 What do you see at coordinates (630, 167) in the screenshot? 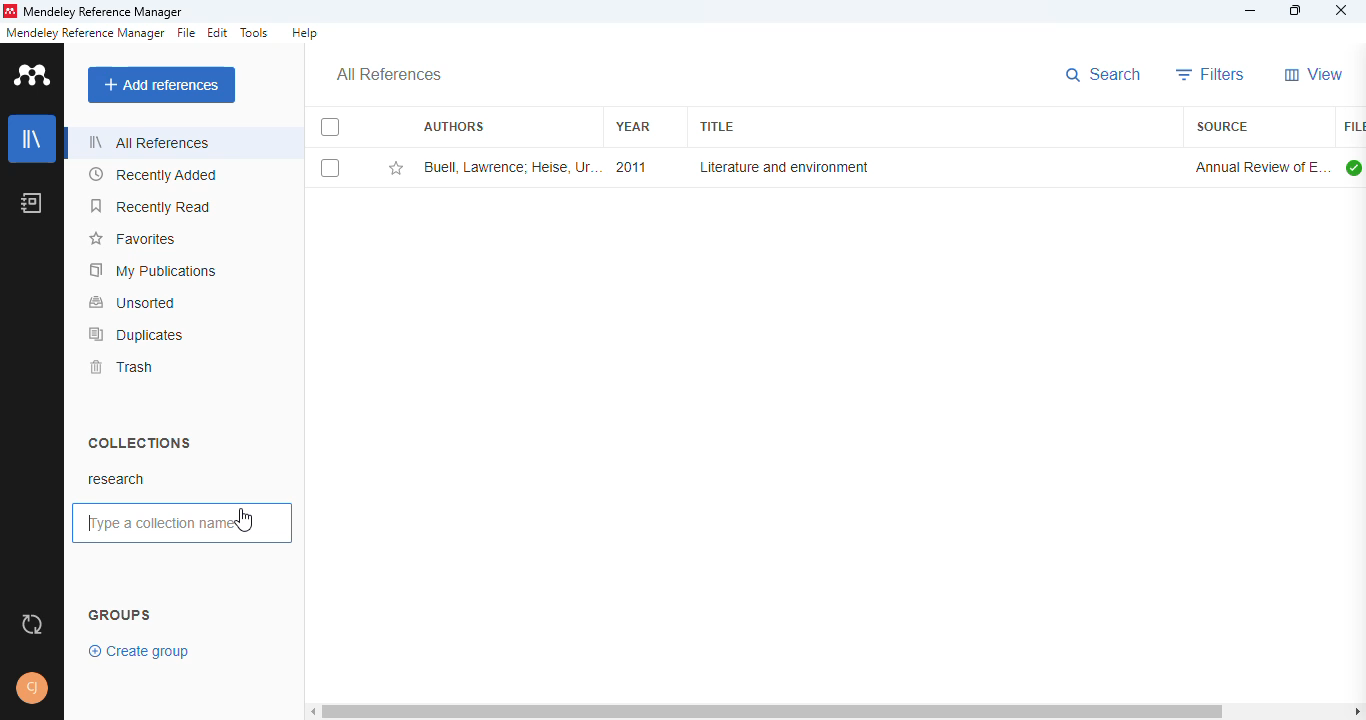
I see `2011` at bounding box center [630, 167].